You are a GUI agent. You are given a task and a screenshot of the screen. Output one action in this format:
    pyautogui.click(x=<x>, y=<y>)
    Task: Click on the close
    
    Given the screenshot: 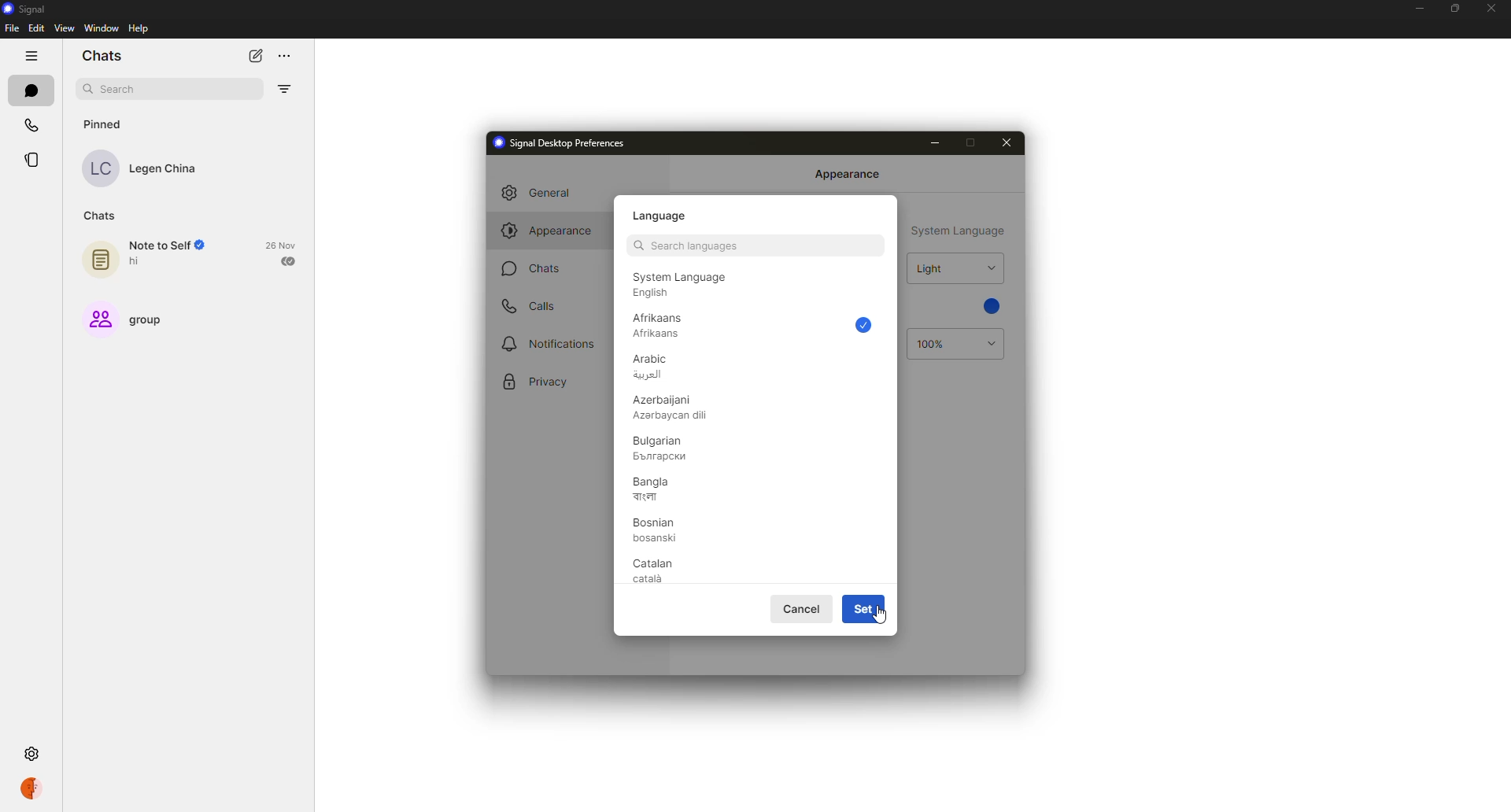 What is the action you would take?
    pyautogui.click(x=1492, y=6)
    